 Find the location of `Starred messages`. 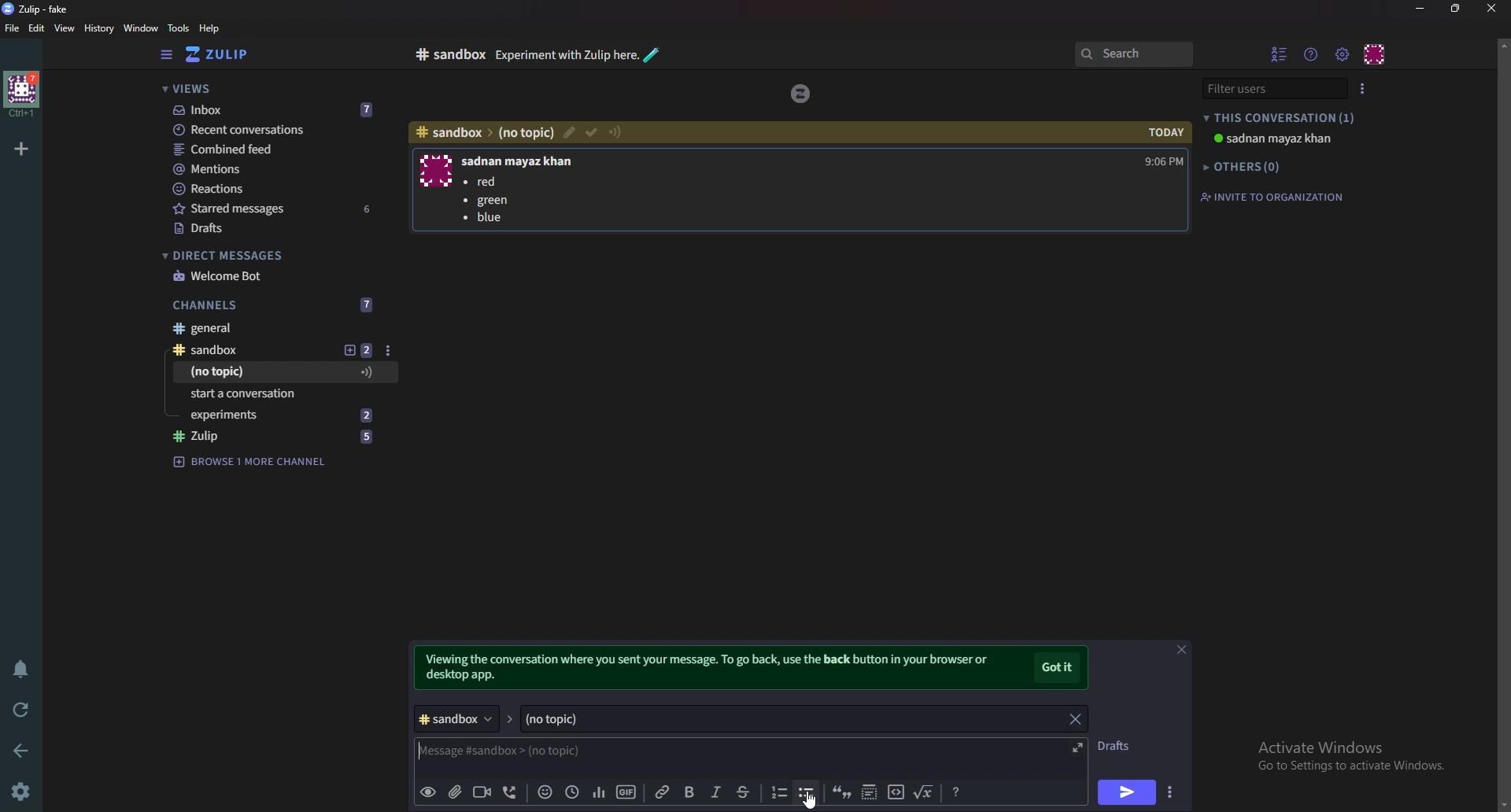

Starred messages is located at coordinates (278, 208).